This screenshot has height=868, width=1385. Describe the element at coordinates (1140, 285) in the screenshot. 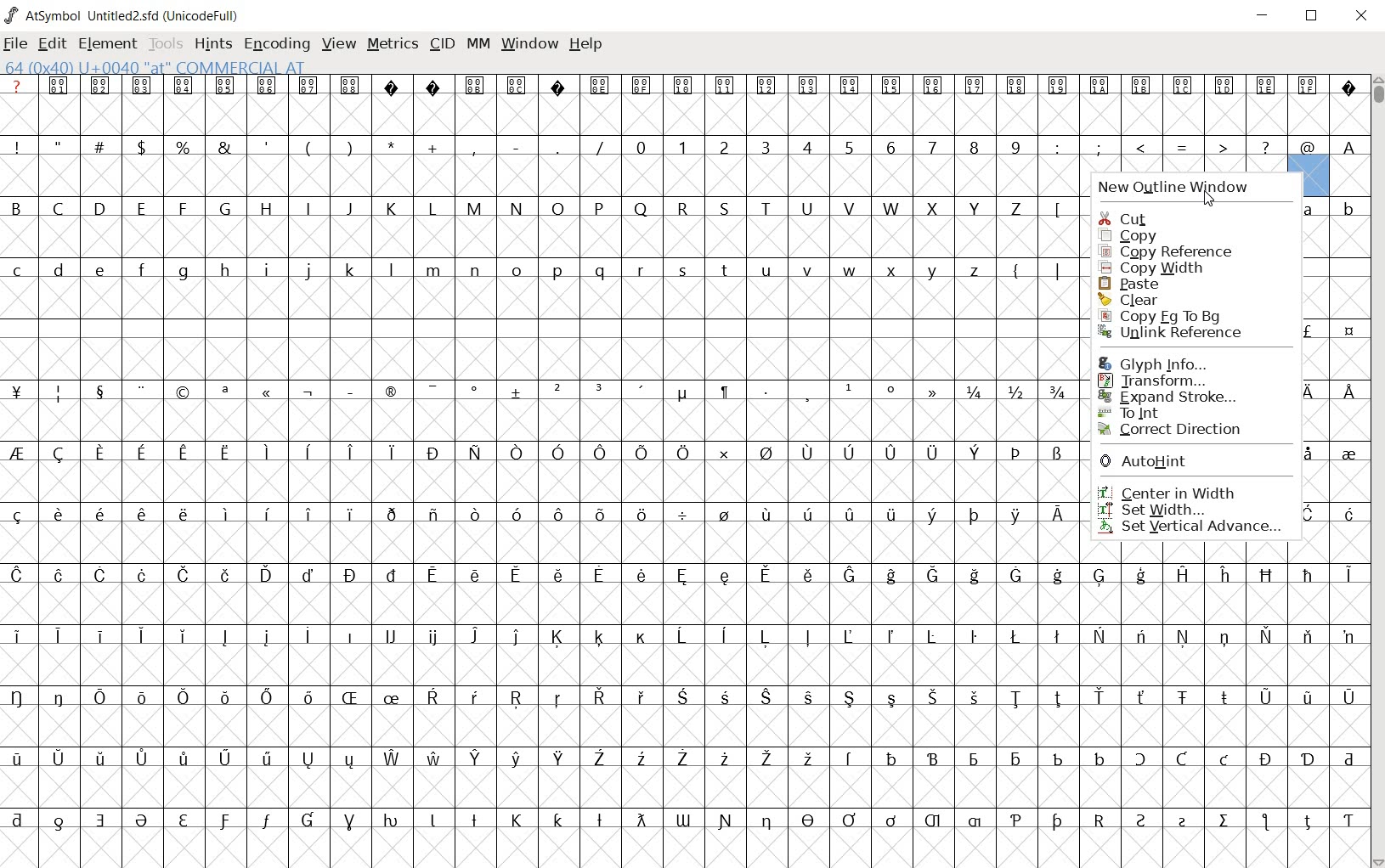

I see `PASTE` at that location.